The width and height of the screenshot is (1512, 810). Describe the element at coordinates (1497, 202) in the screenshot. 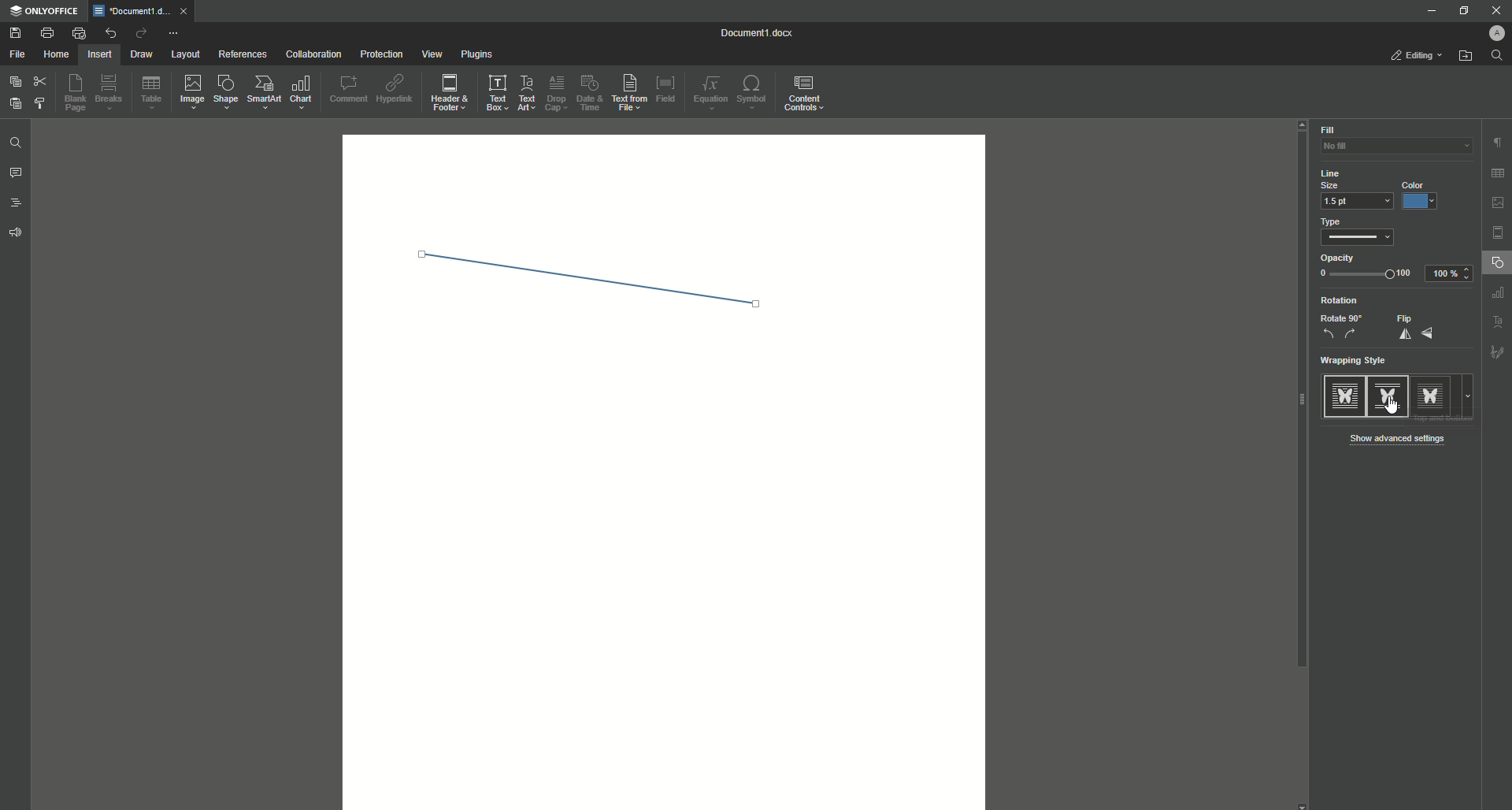

I see `picture` at that location.